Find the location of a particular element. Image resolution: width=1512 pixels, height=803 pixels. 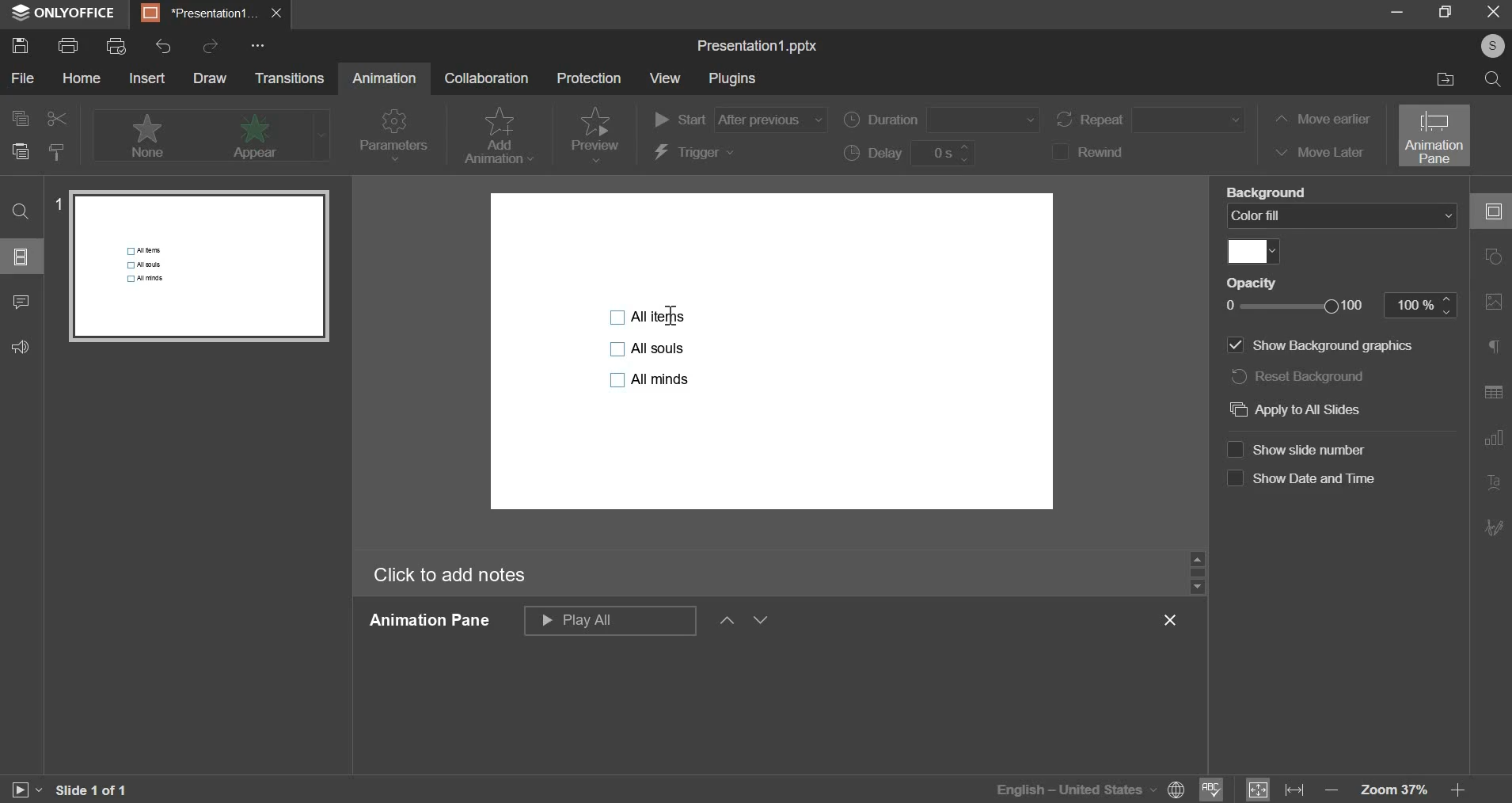

preview is located at coordinates (594, 134).